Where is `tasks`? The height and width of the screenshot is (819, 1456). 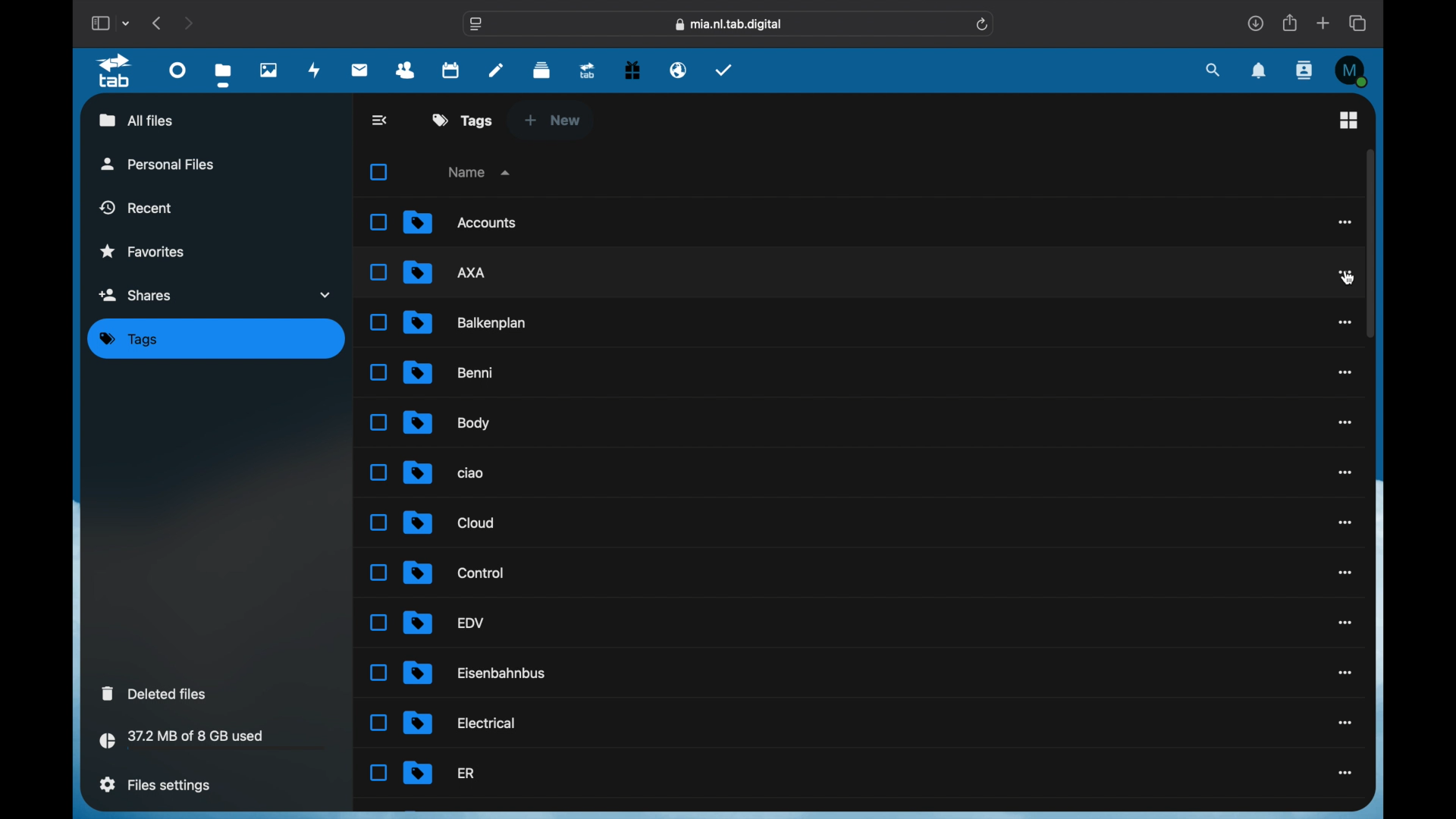 tasks is located at coordinates (724, 69).